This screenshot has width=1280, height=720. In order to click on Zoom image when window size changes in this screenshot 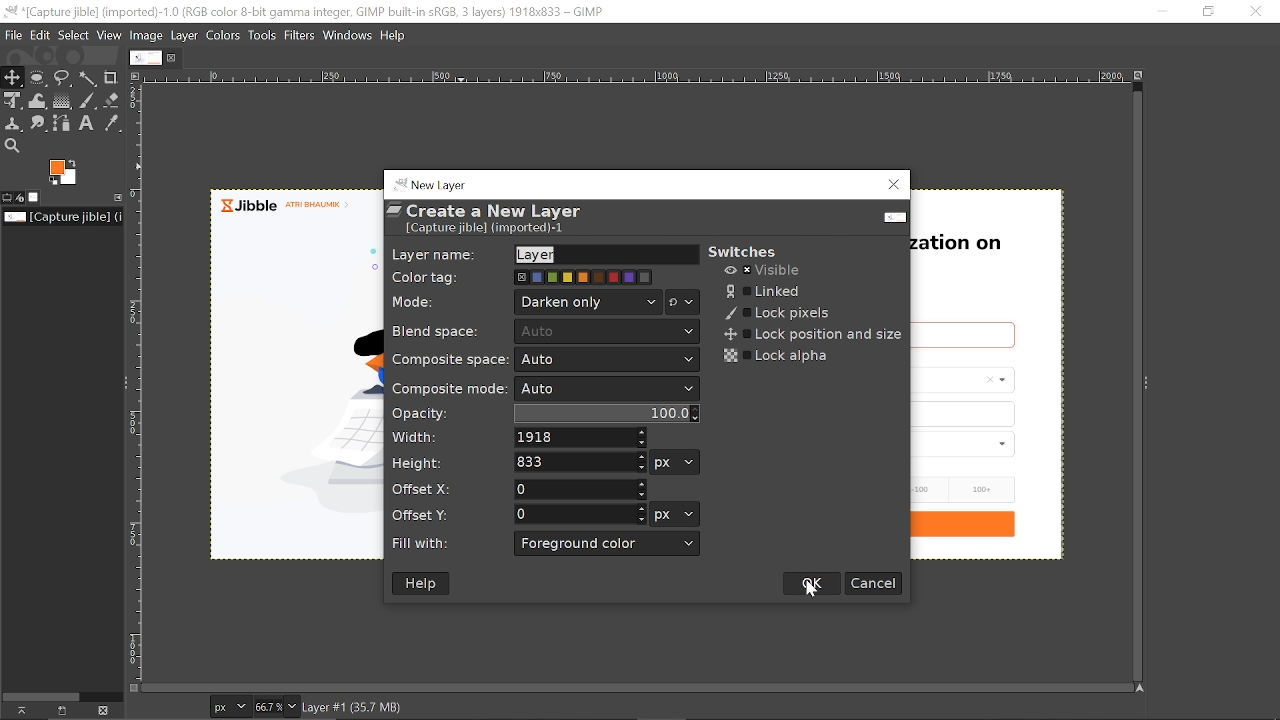, I will do `click(1141, 78)`.